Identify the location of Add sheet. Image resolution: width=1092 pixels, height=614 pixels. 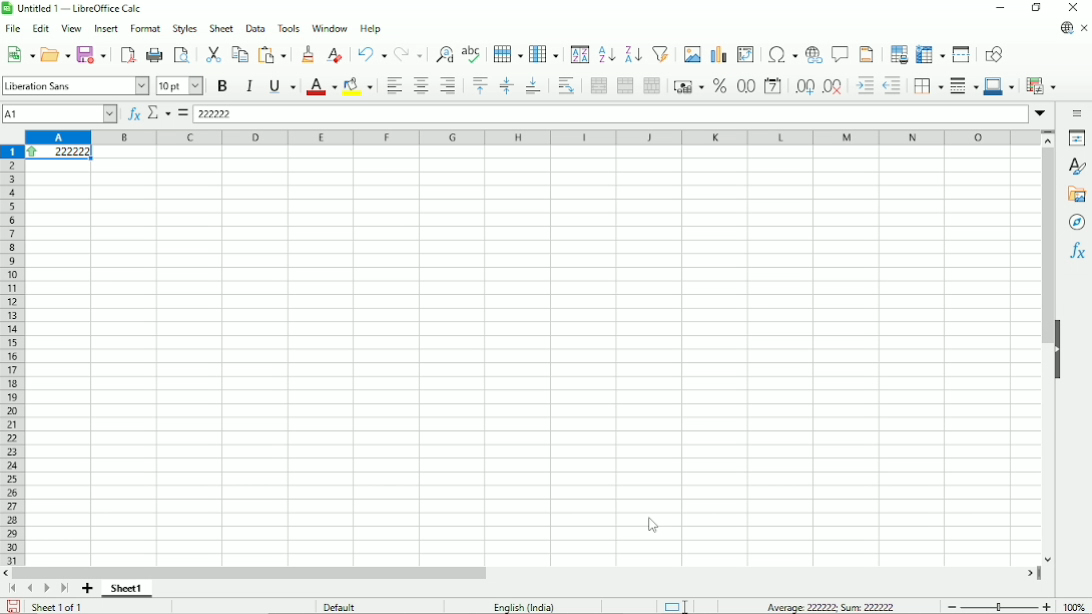
(88, 589).